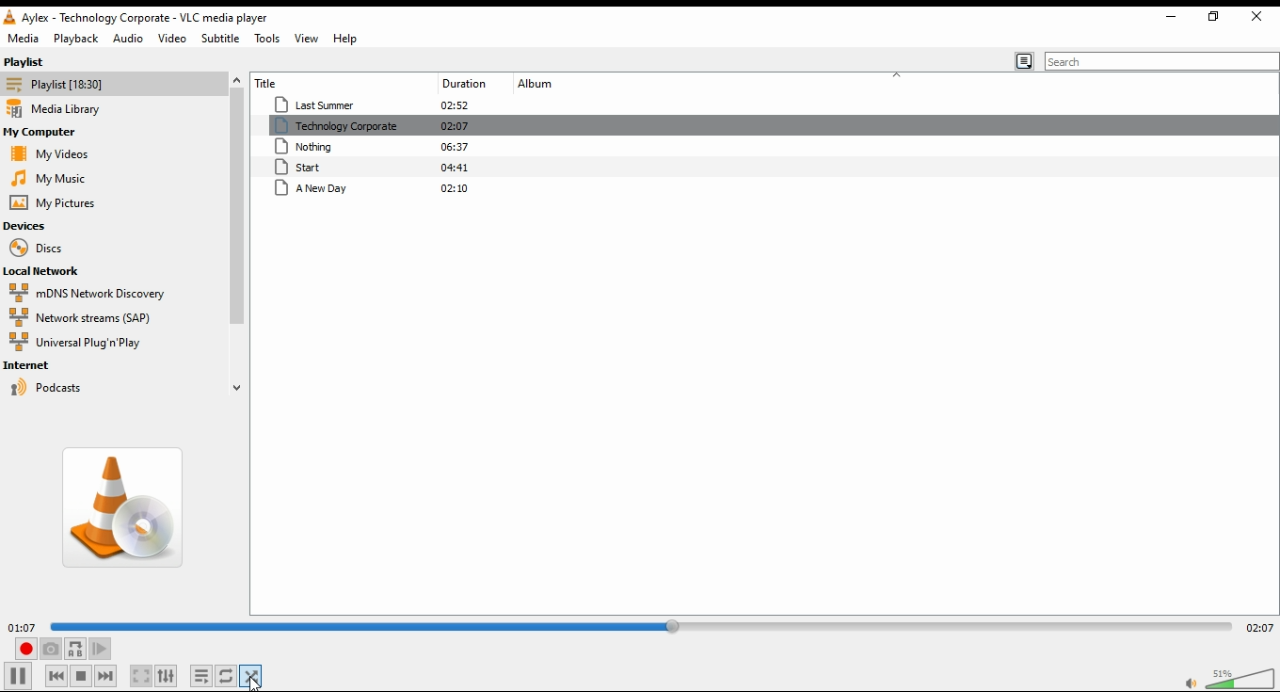  What do you see at coordinates (1262, 626) in the screenshot?
I see `02:07` at bounding box center [1262, 626].